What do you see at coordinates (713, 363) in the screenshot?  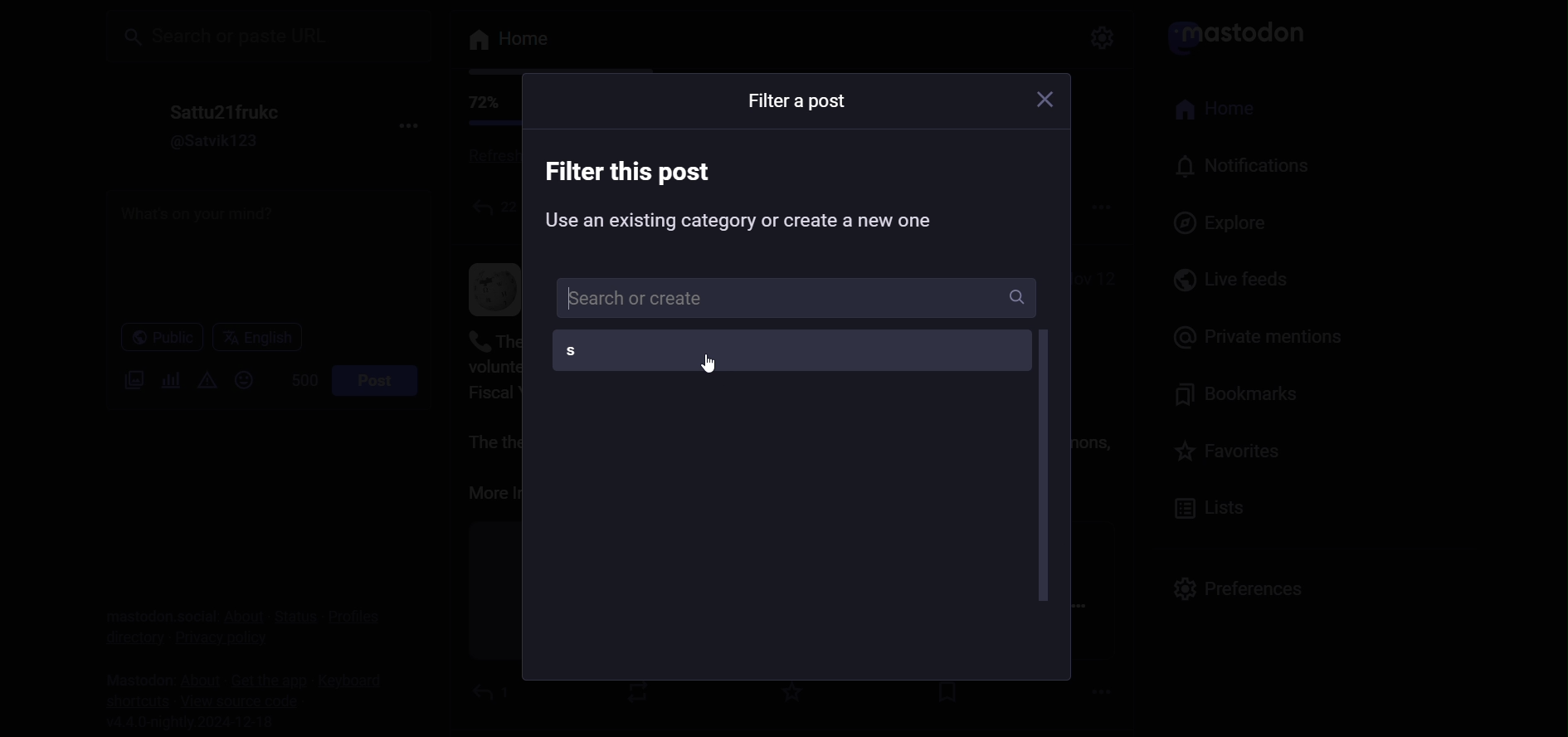 I see `cursor` at bounding box center [713, 363].